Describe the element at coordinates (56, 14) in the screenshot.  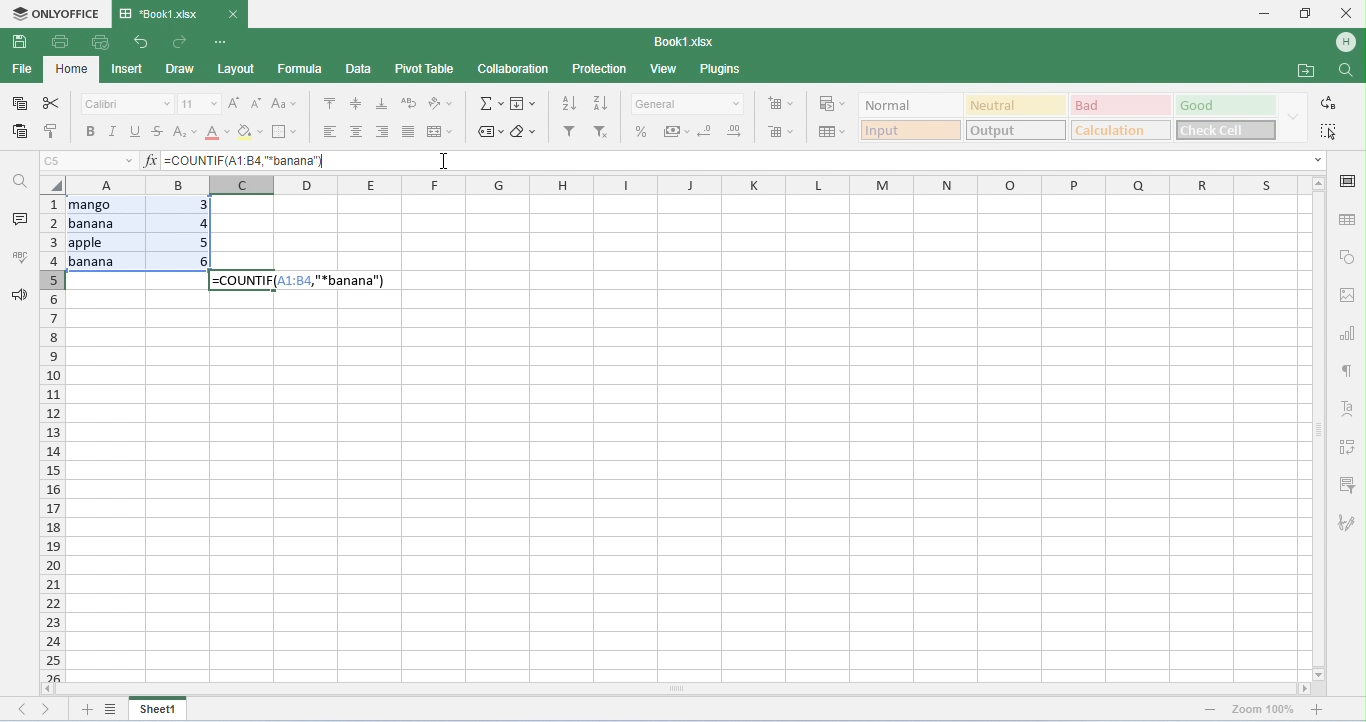
I see `onlyoffice` at that location.